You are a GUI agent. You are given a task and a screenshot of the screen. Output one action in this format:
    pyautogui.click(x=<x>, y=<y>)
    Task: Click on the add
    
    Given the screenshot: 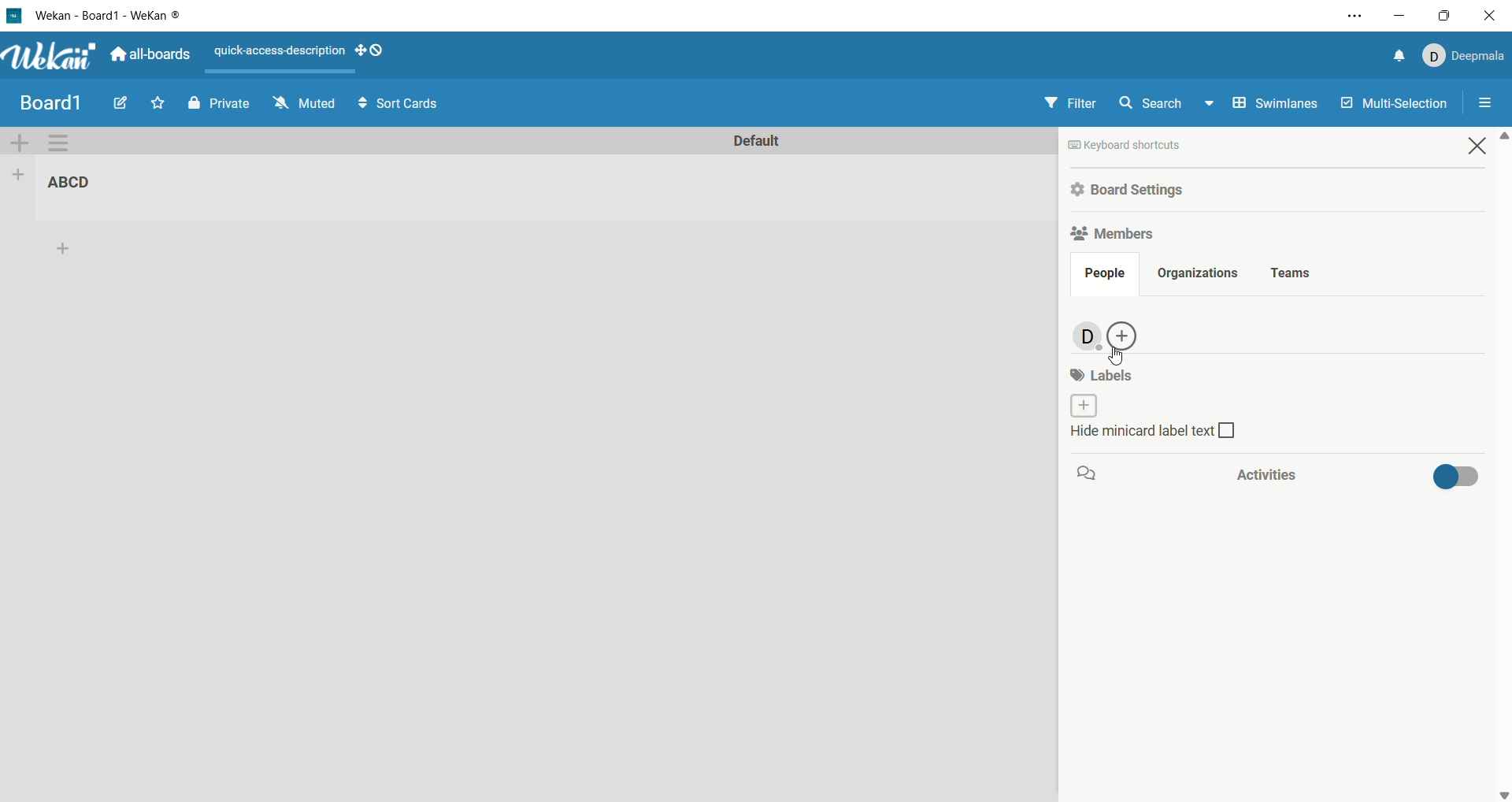 What is the action you would take?
    pyautogui.click(x=69, y=249)
    